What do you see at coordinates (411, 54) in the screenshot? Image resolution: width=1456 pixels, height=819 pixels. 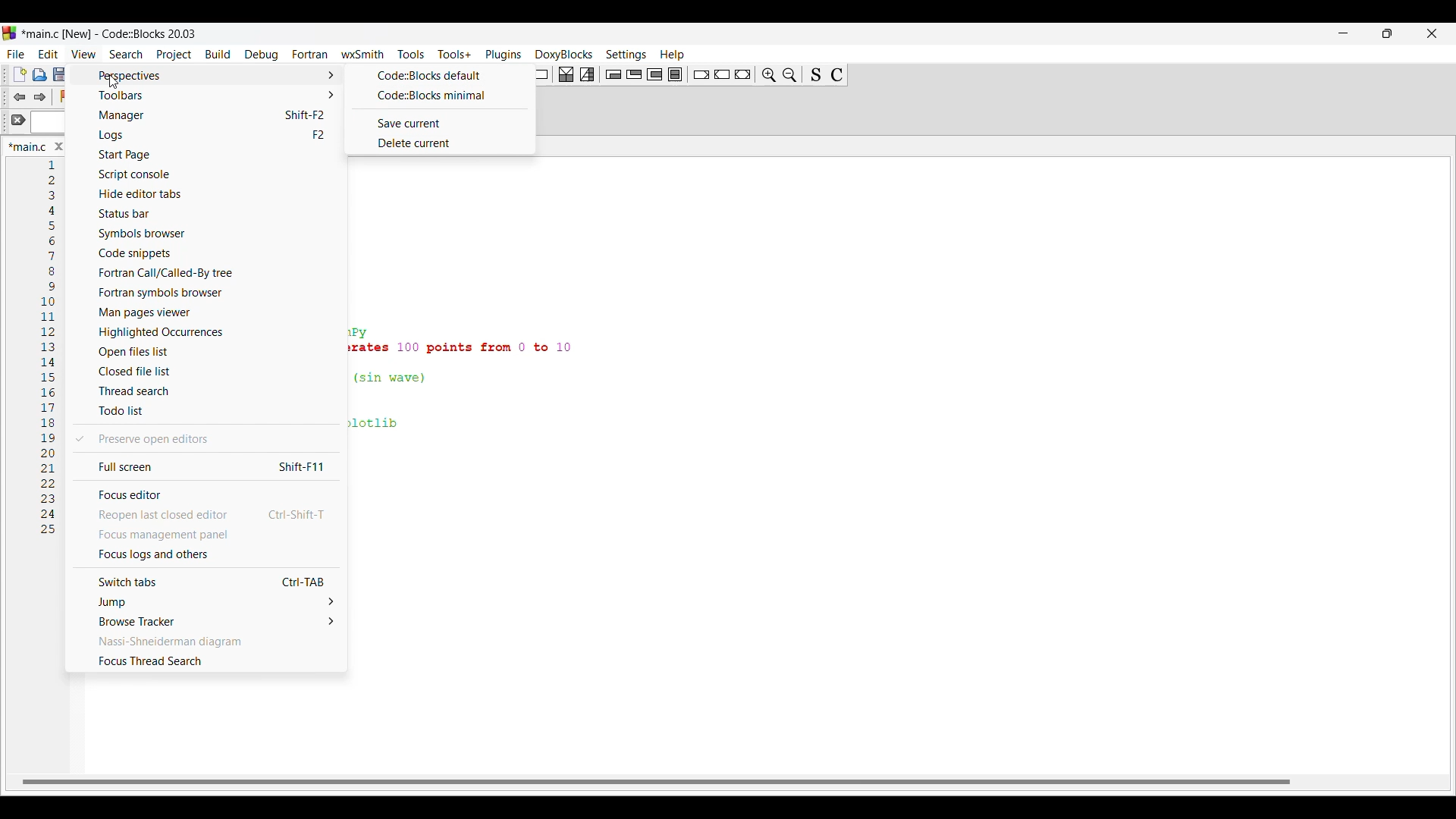 I see `Tools menu` at bounding box center [411, 54].